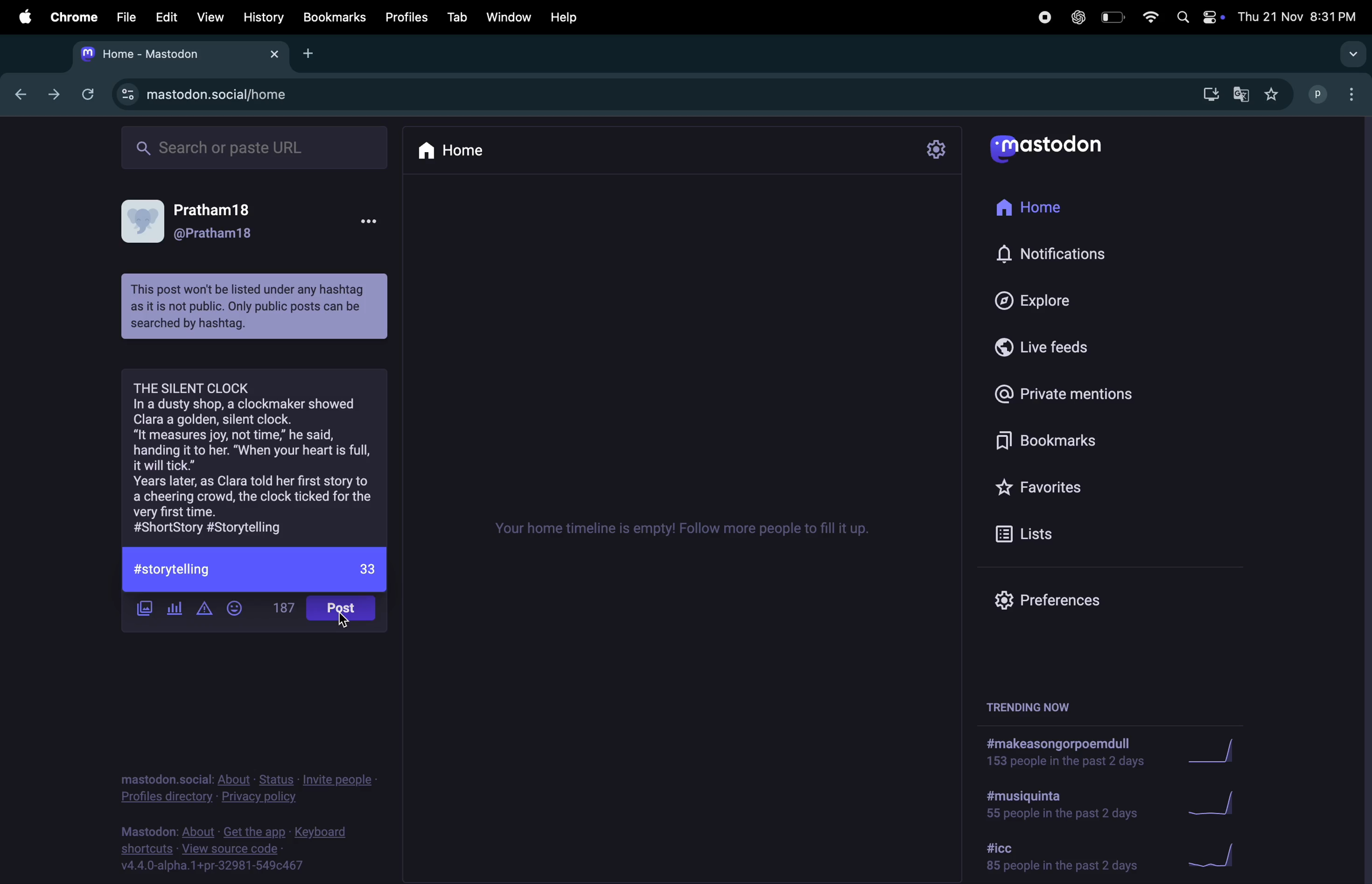  Describe the element at coordinates (143, 608) in the screenshot. I see `add image` at that location.